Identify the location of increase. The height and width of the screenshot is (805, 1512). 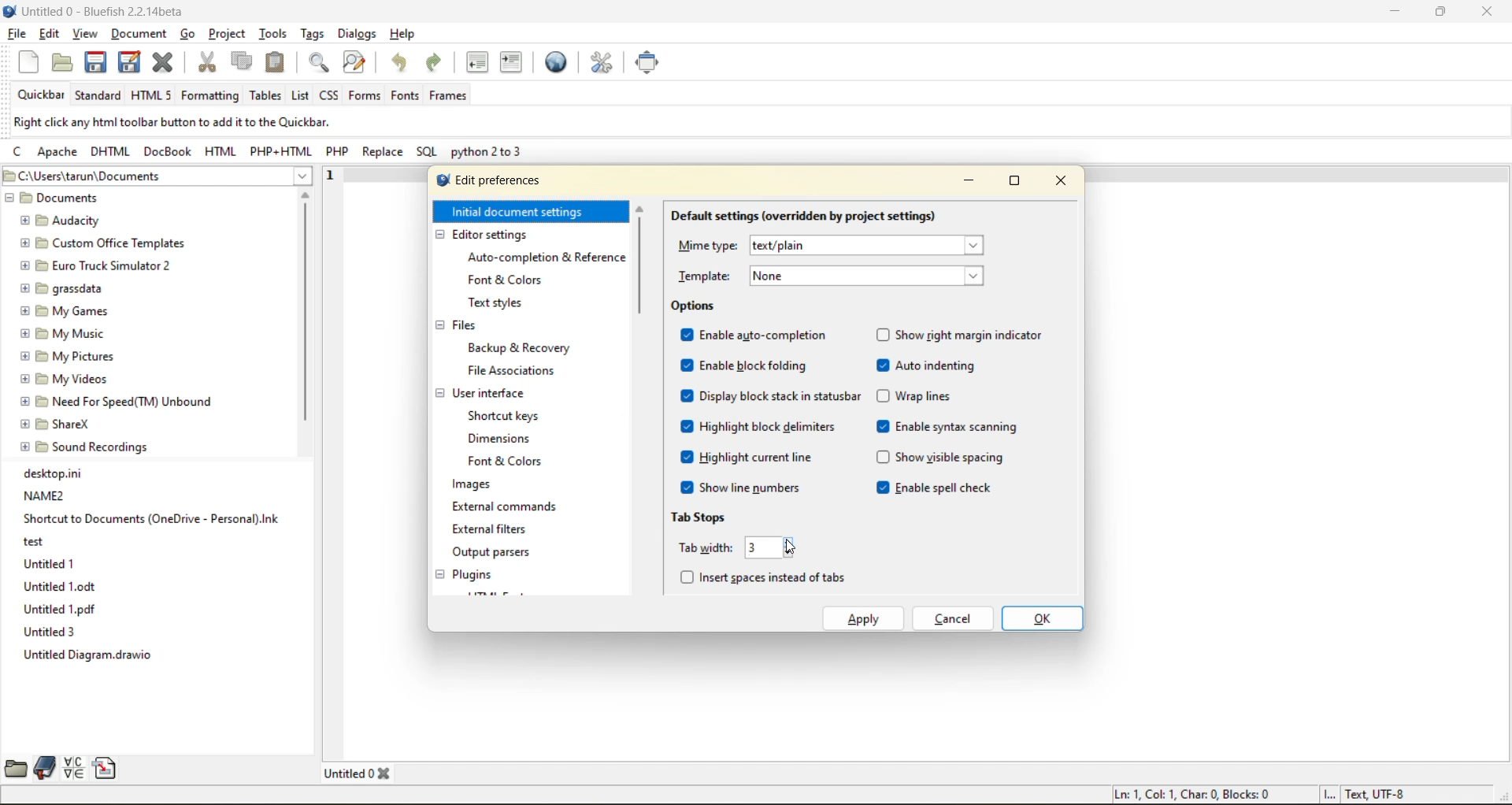
(793, 542).